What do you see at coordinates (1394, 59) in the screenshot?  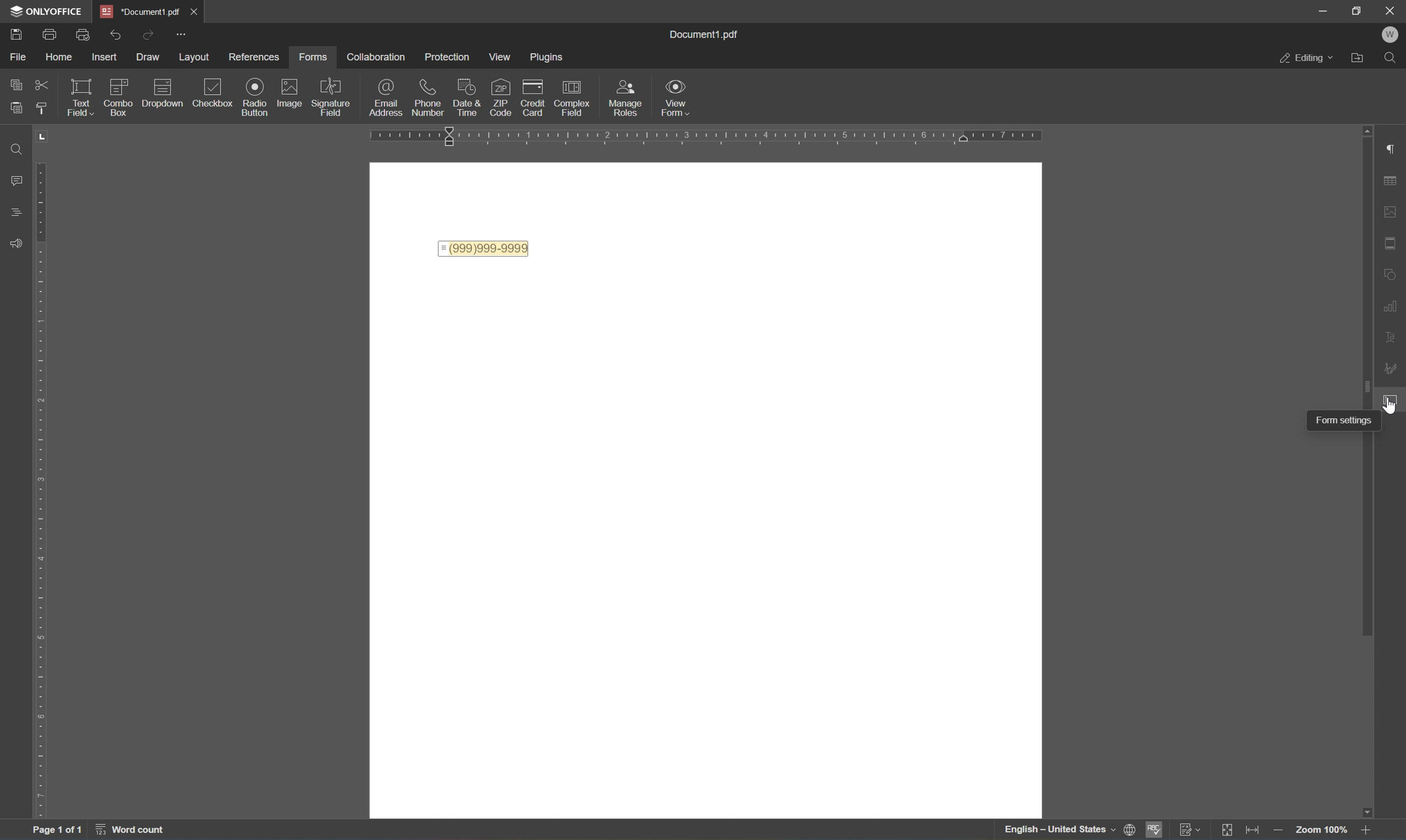 I see `find` at bounding box center [1394, 59].